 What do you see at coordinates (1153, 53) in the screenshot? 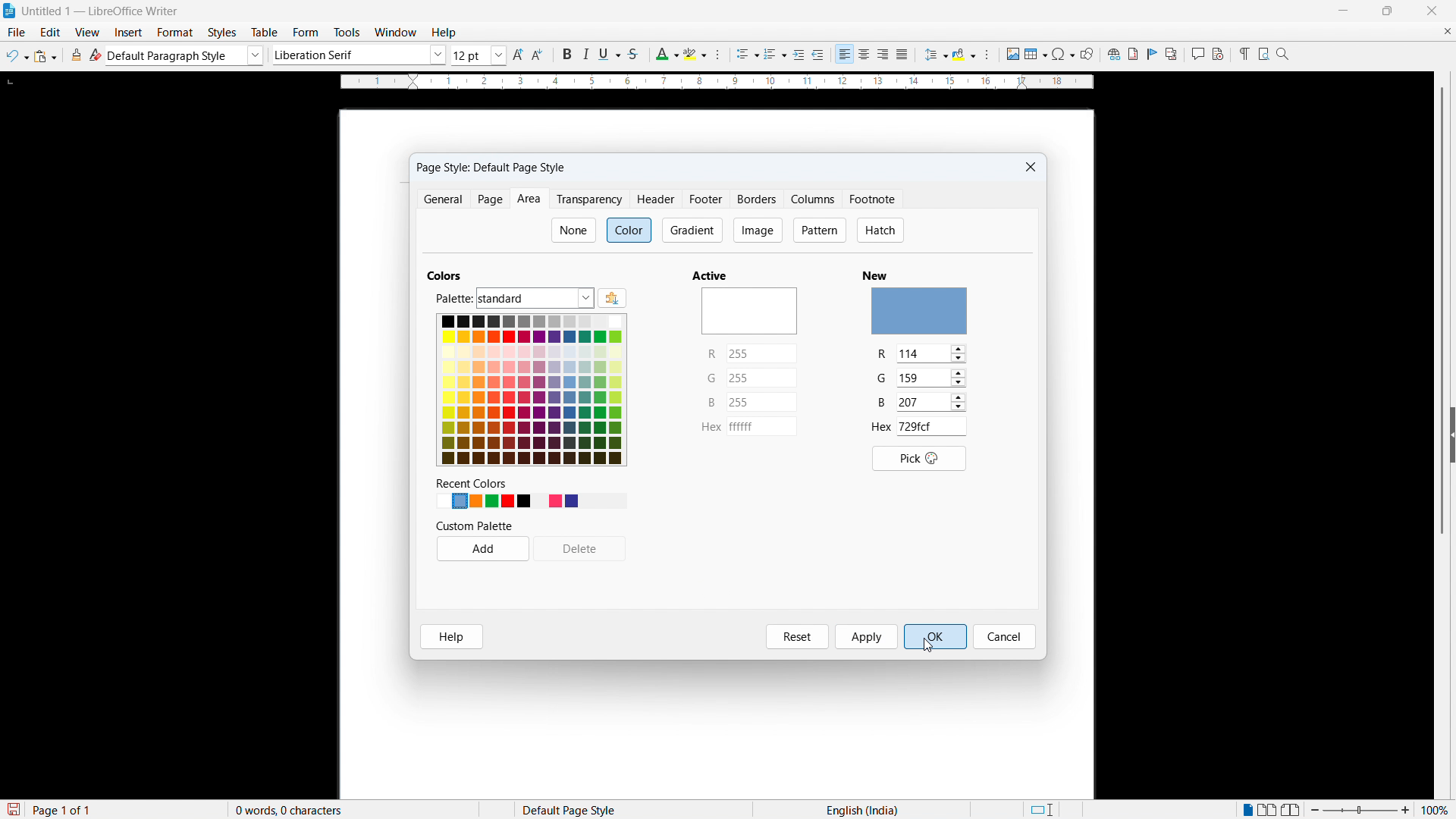
I see `Insert bookmark ` at bounding box center [1153, 53].